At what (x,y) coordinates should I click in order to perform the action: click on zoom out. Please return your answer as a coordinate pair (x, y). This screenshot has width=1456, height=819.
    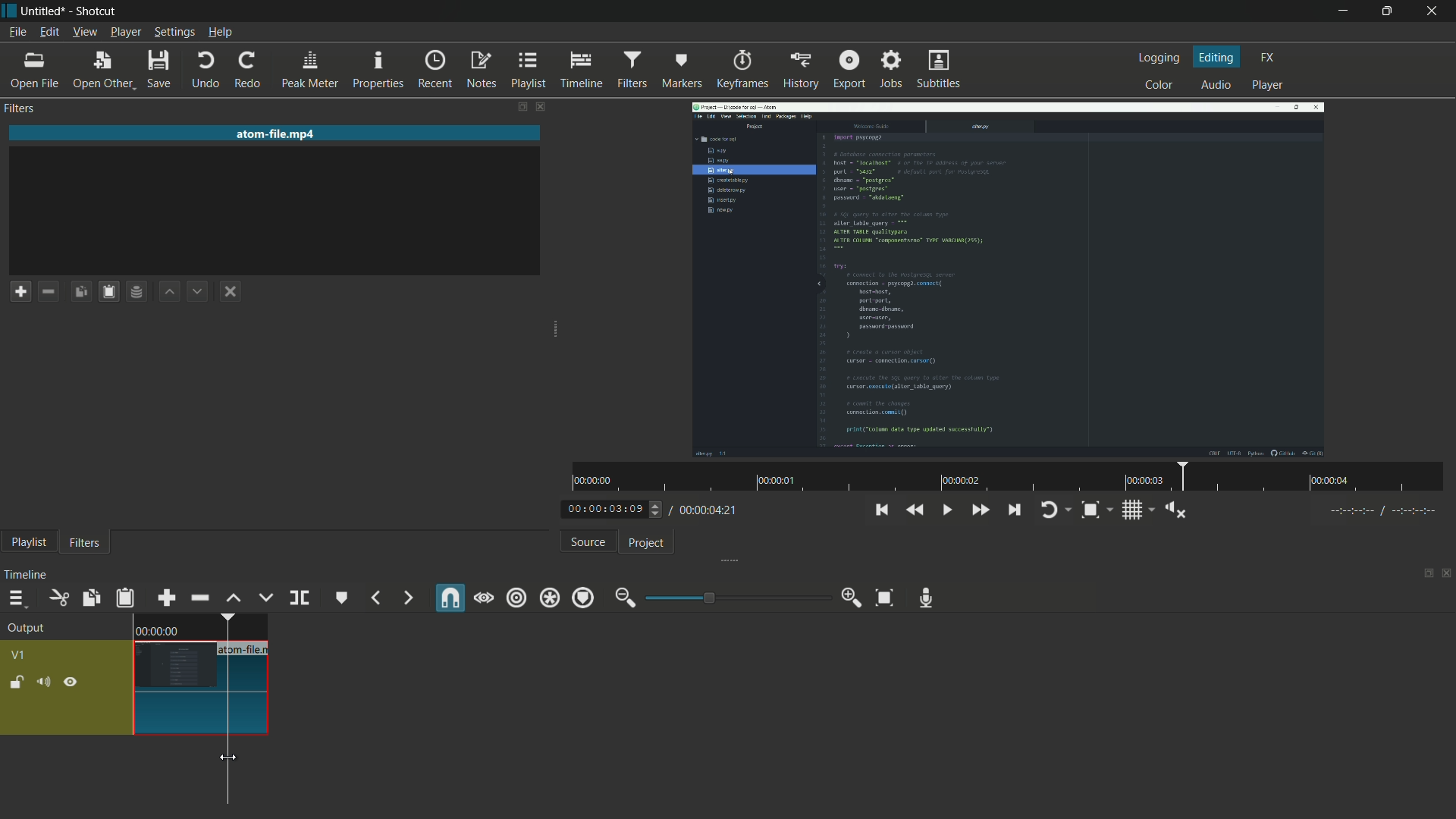
    Looking at the image, I should click on (625, 595).